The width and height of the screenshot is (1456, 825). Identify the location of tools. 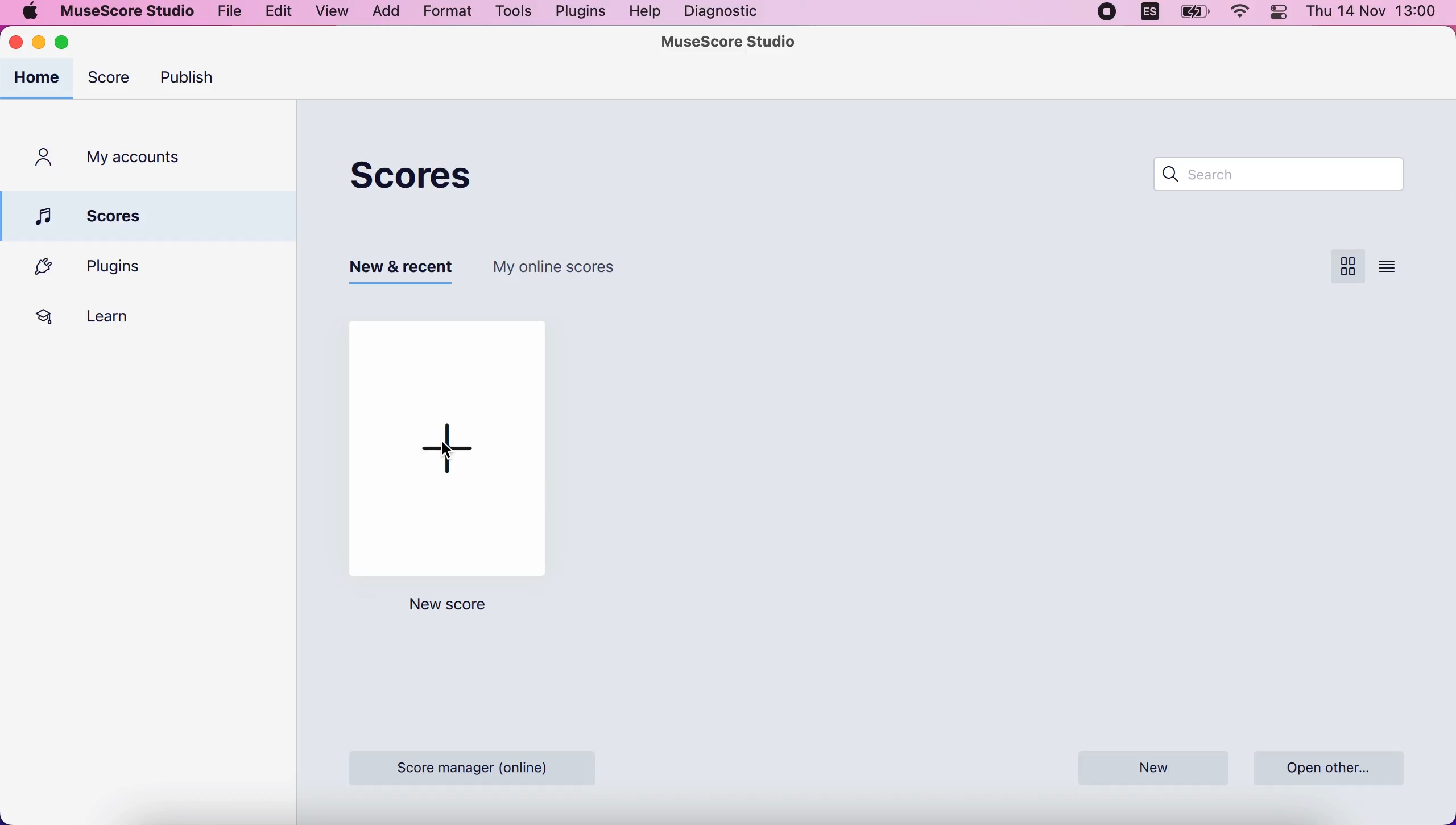
(515, 13).